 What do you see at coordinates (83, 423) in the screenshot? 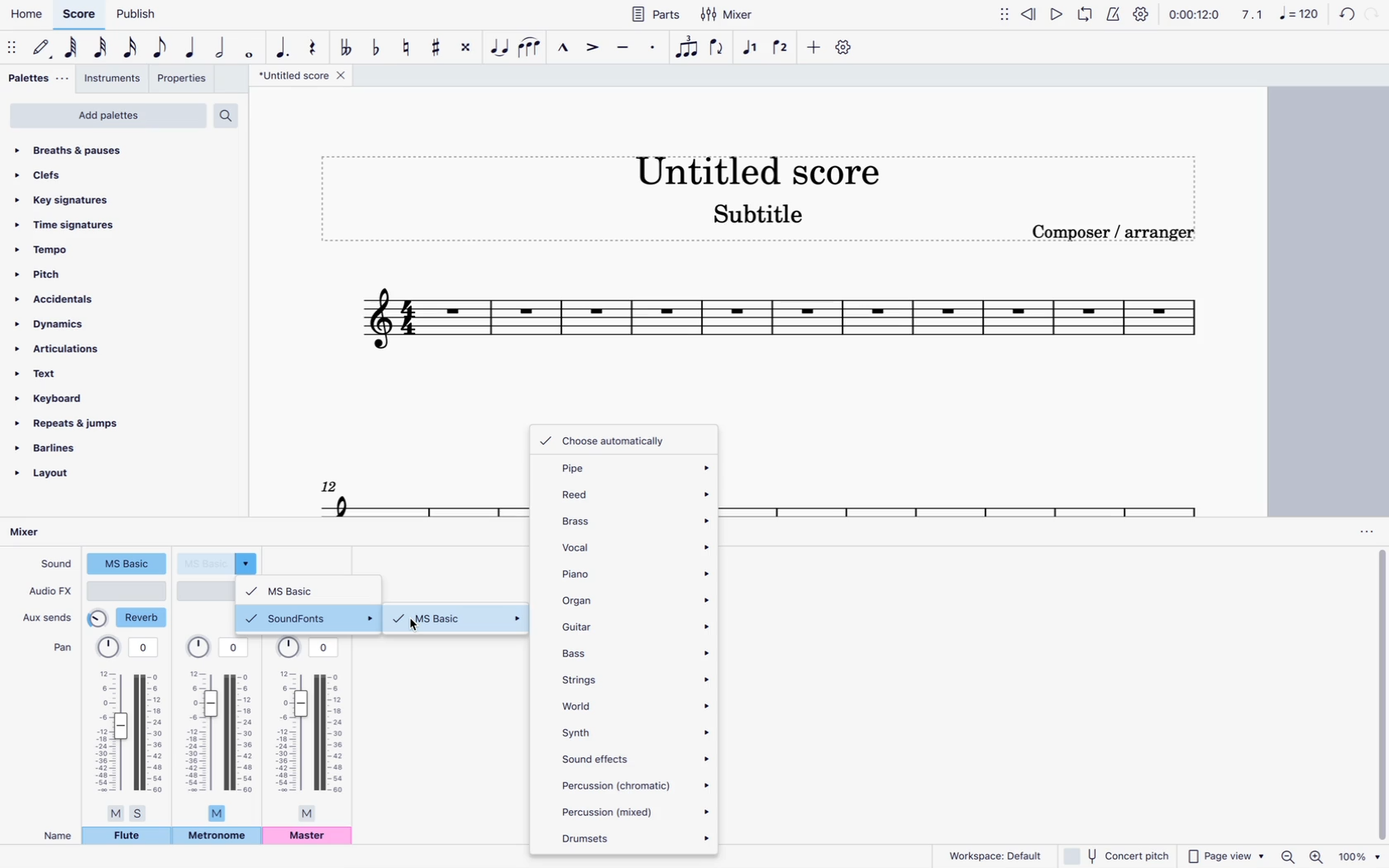
I see `repeats & jumps` at bounding box center [83, 423].